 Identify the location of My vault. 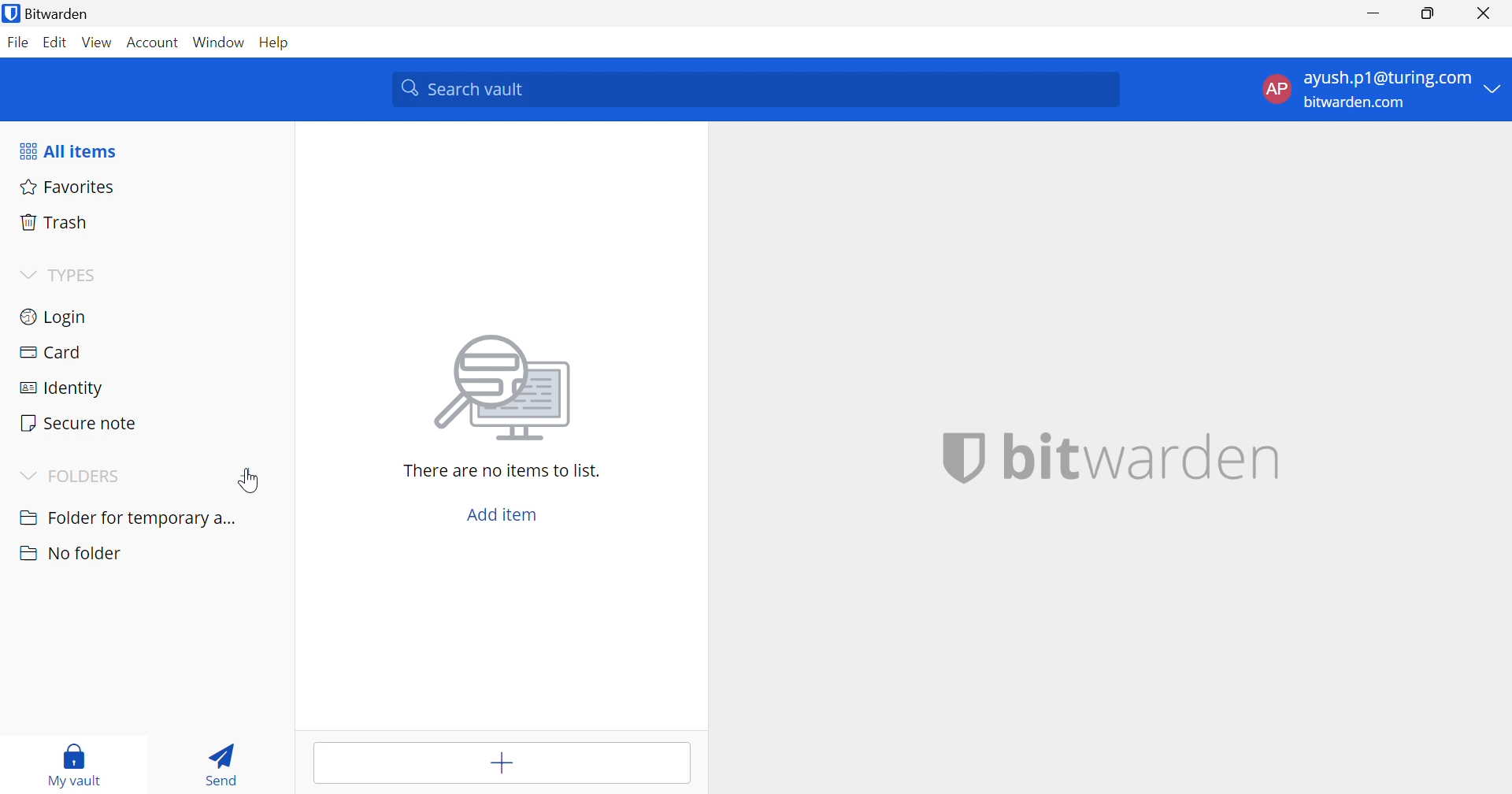
(70, 765).